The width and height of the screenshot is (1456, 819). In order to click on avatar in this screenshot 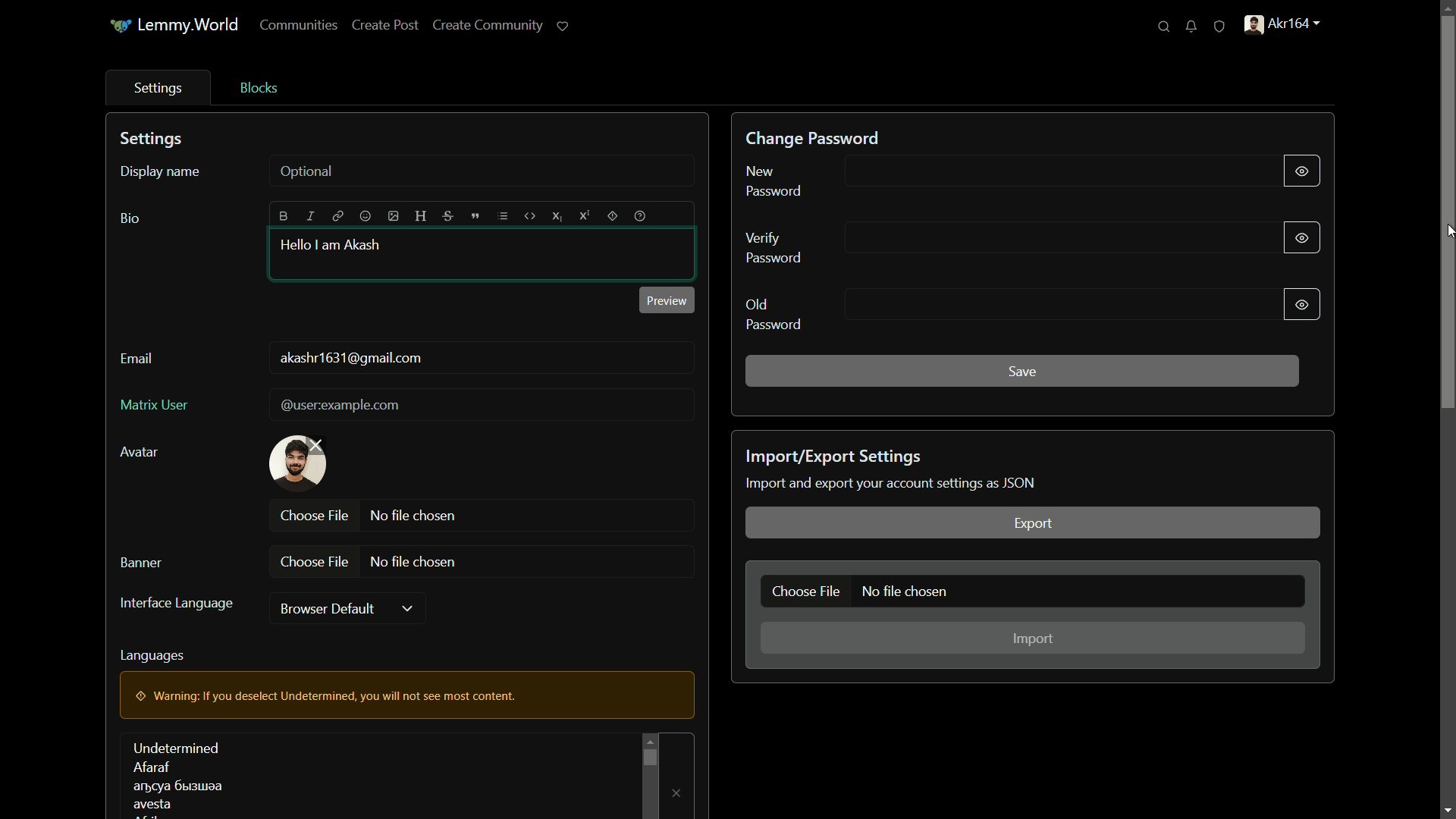, I will do `click(138, 452)`.